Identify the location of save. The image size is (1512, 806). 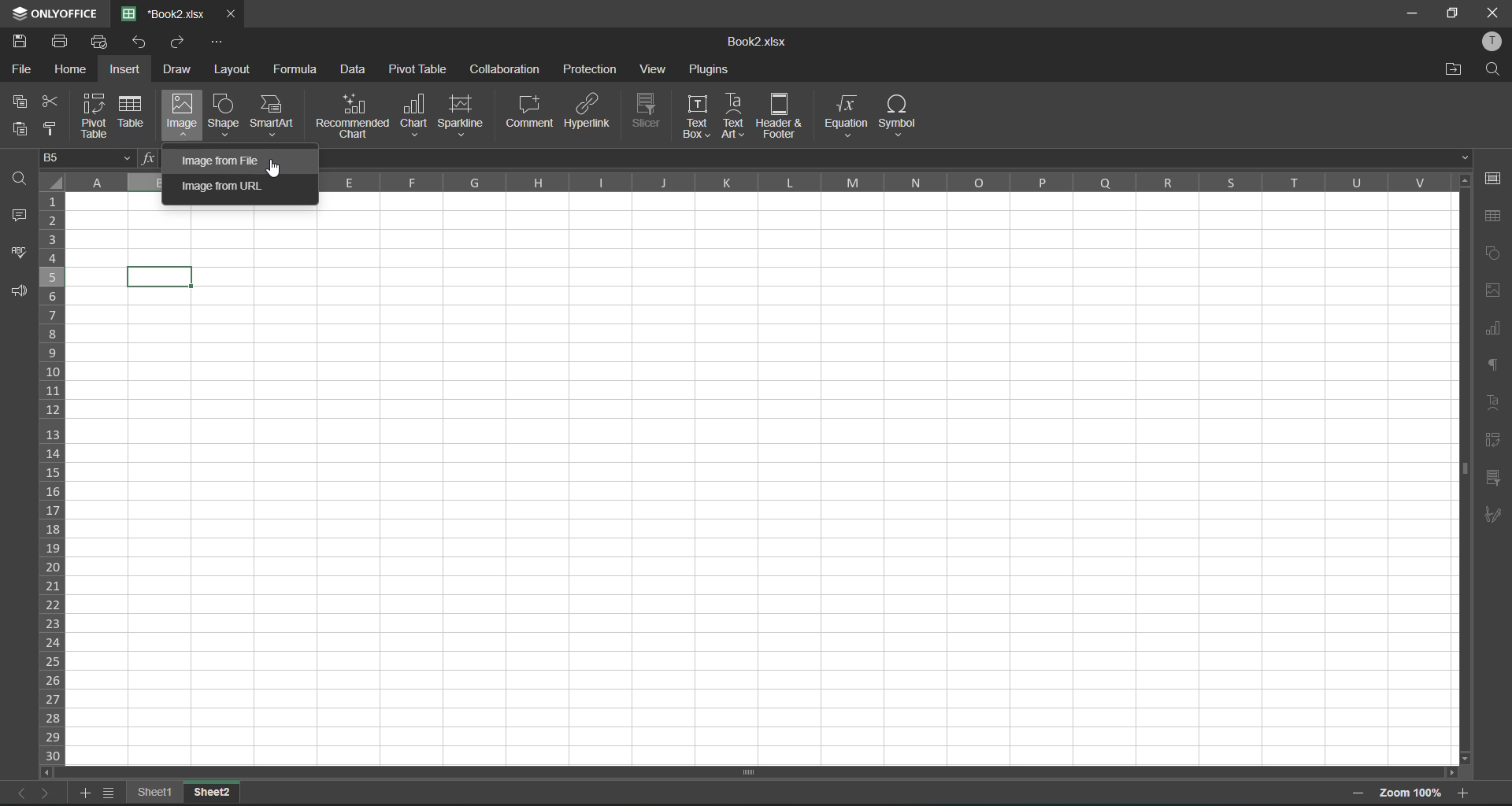
(24, 40).